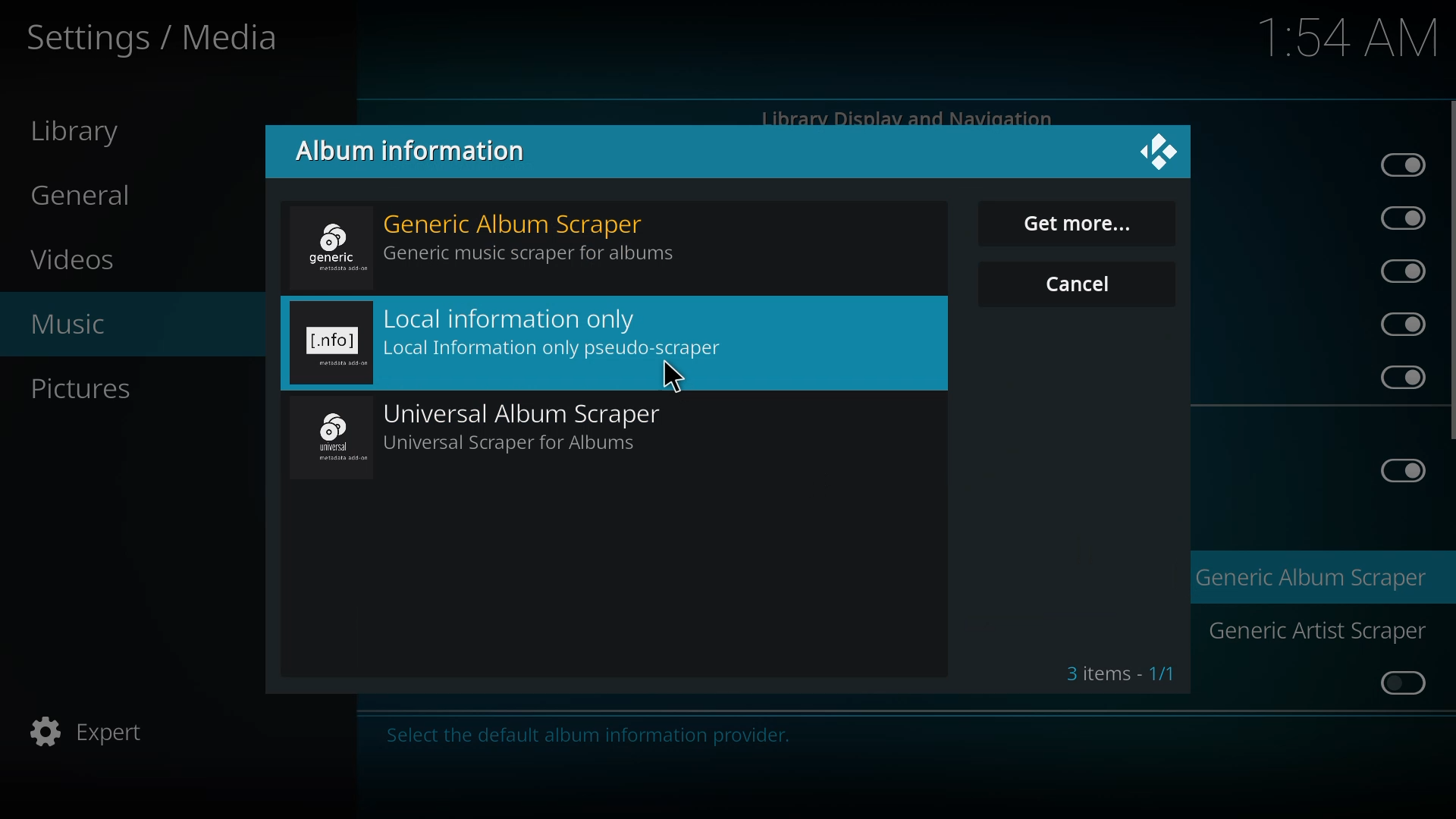  What do you see at coordinates (504, 436) in the screenshot?
I see `universal album scraper` at bounding box center [504, 436].